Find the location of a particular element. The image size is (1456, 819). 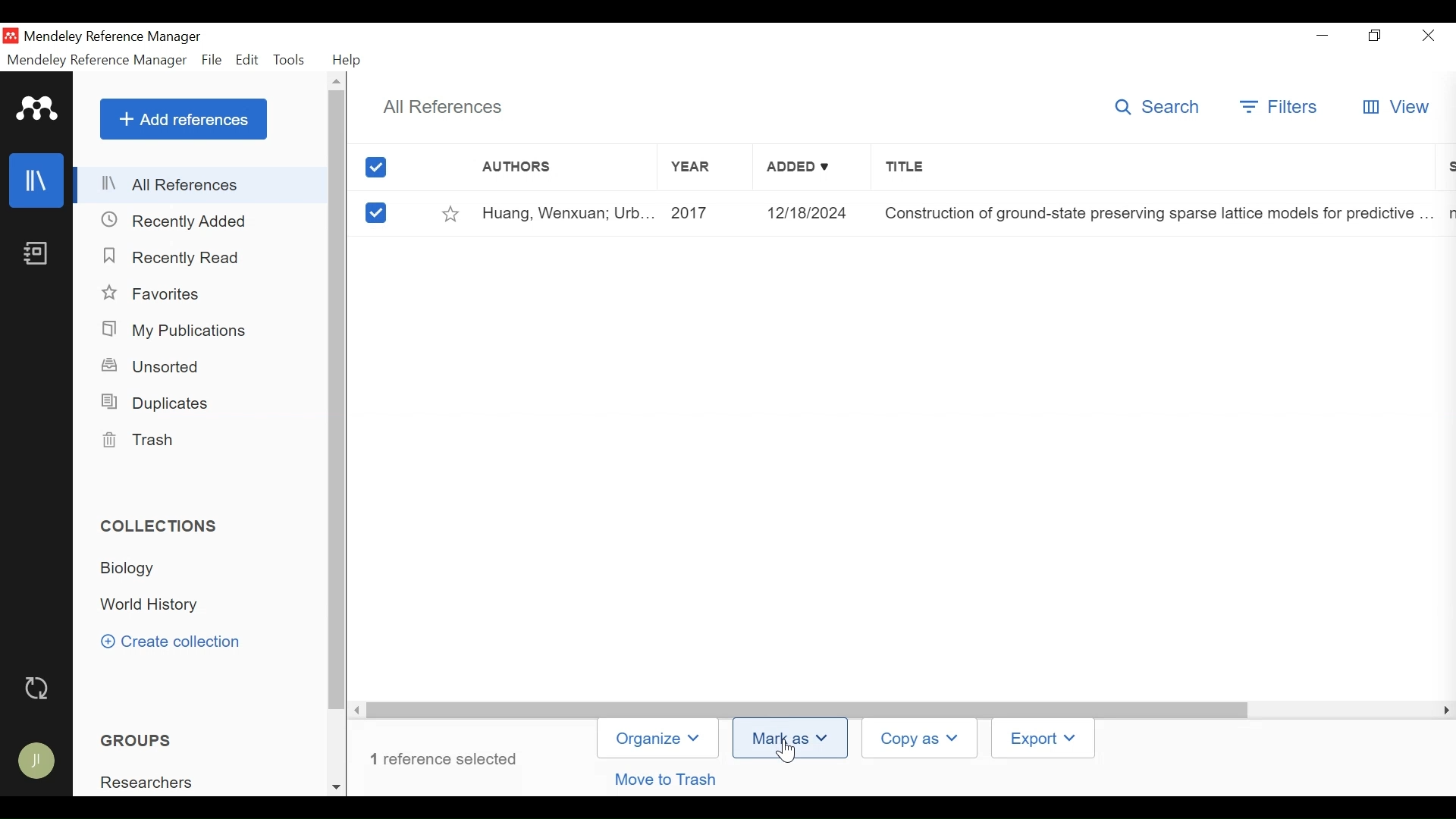

Vertical Scroll bar is located at coordinates (808, 708).